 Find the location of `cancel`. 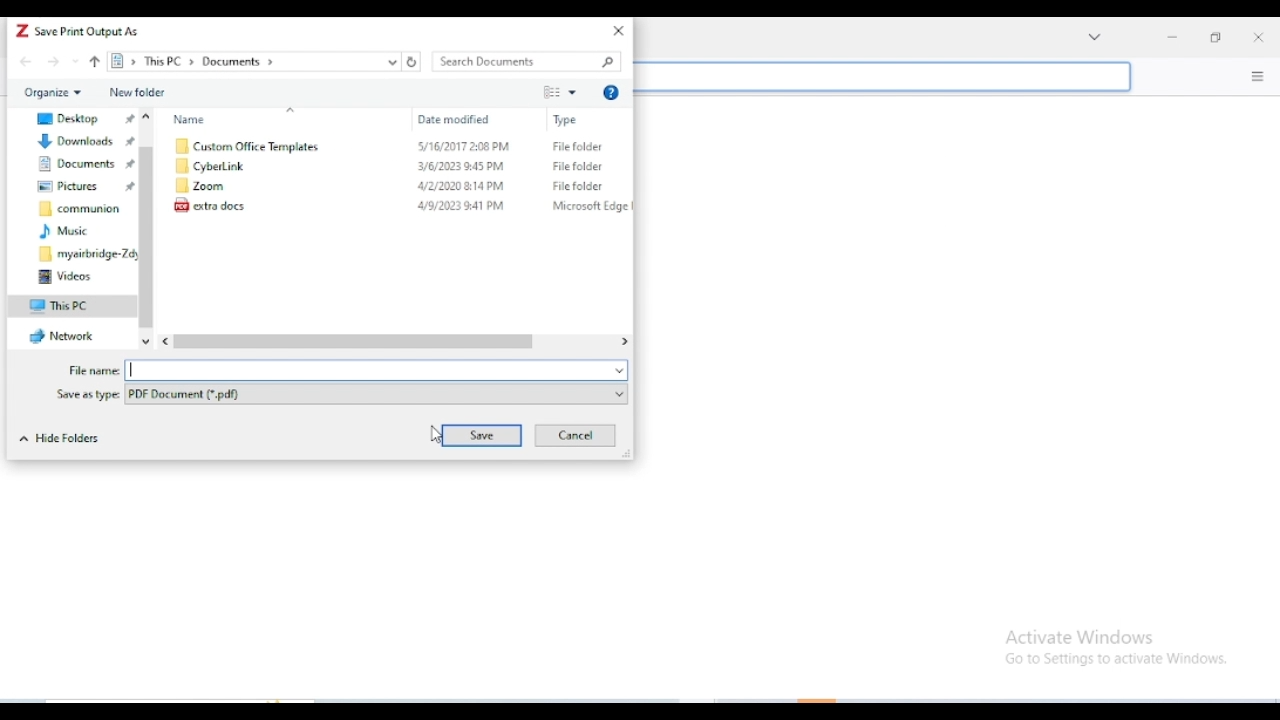

cancel is located at coordinates (576, 435).